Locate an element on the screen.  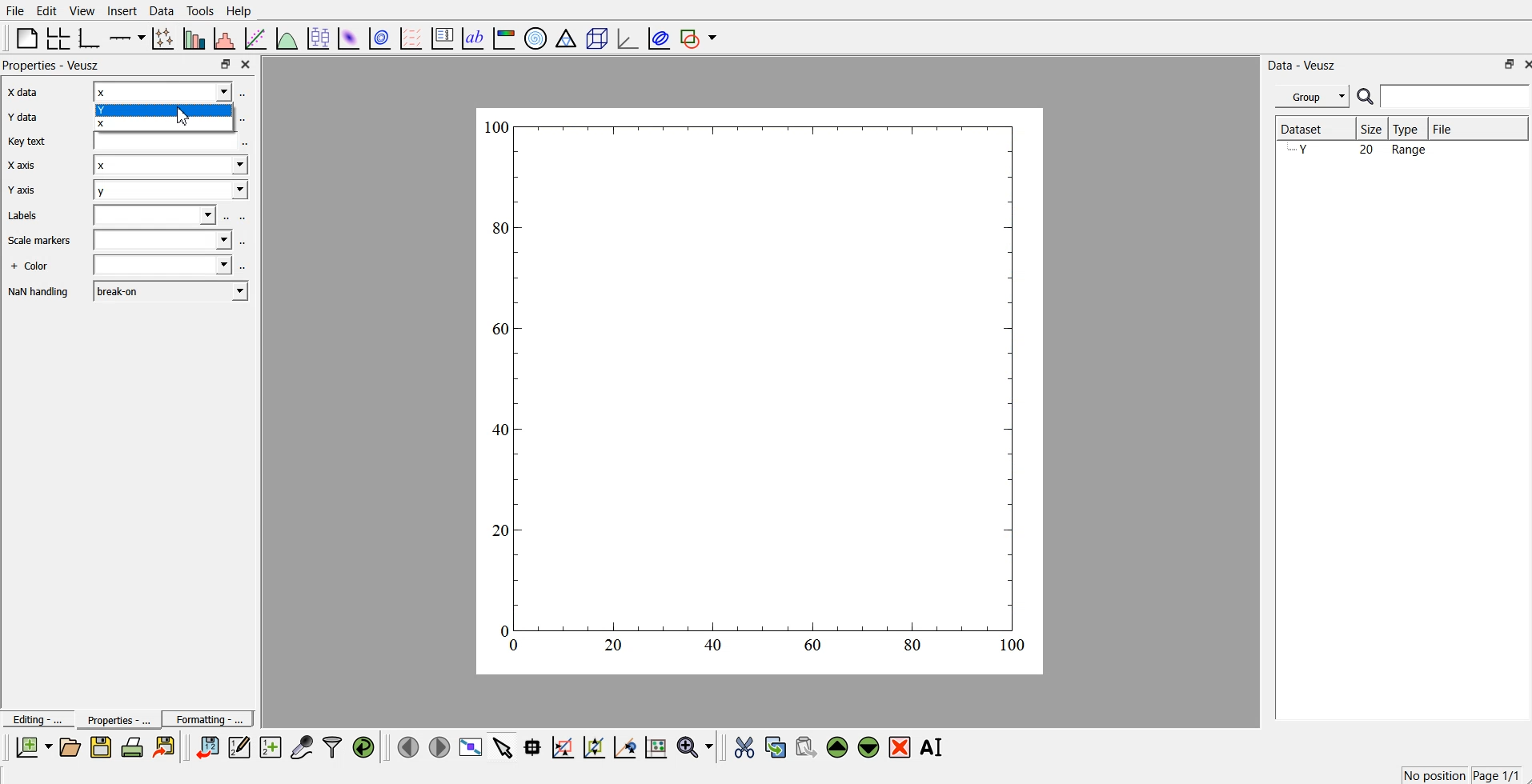
+ Color is located at coordinates (33, 265).